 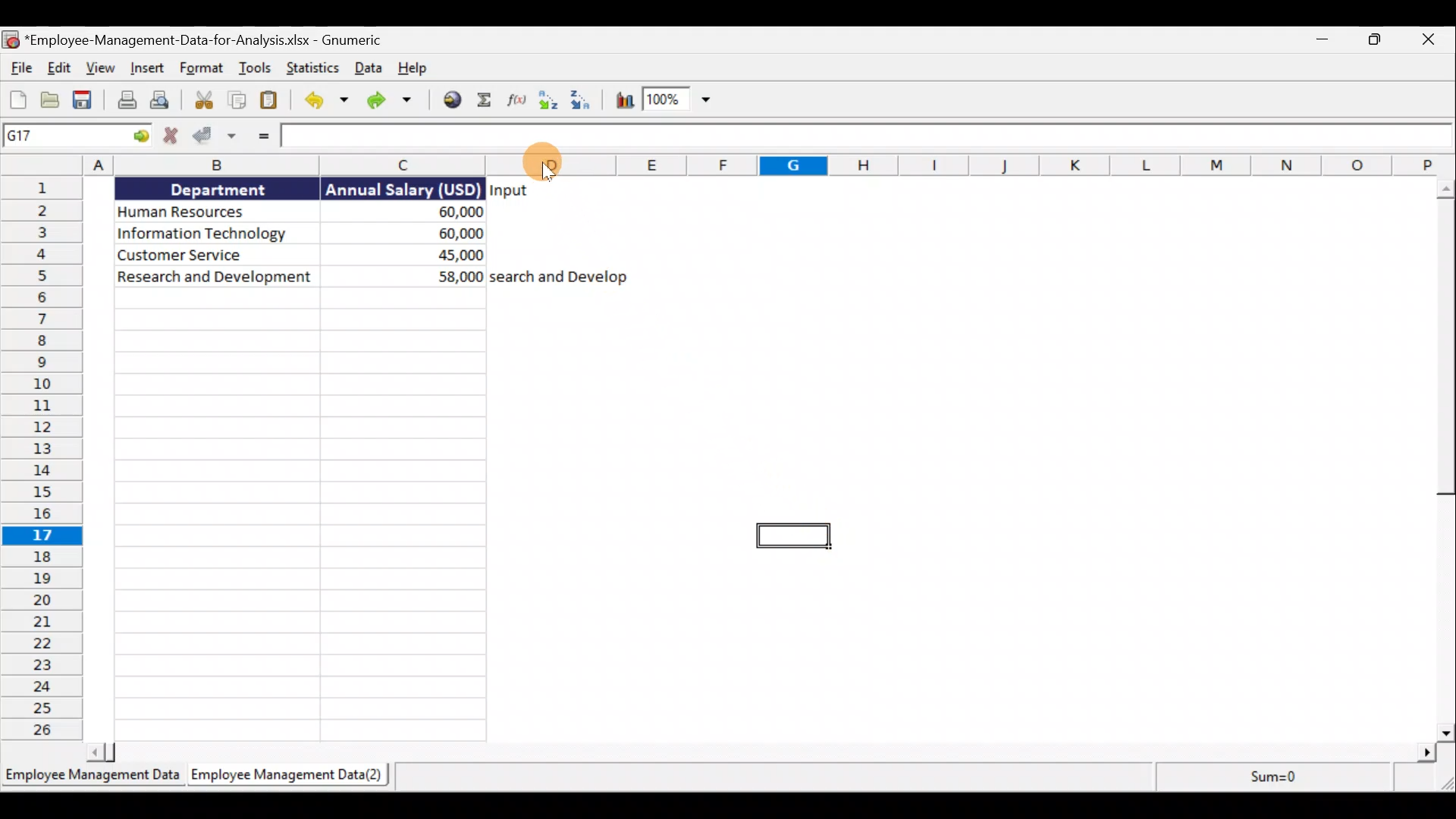 What do you see at coordinates (510, 192) in the screenshot?
I see `input` at bounding box center [510, 192].